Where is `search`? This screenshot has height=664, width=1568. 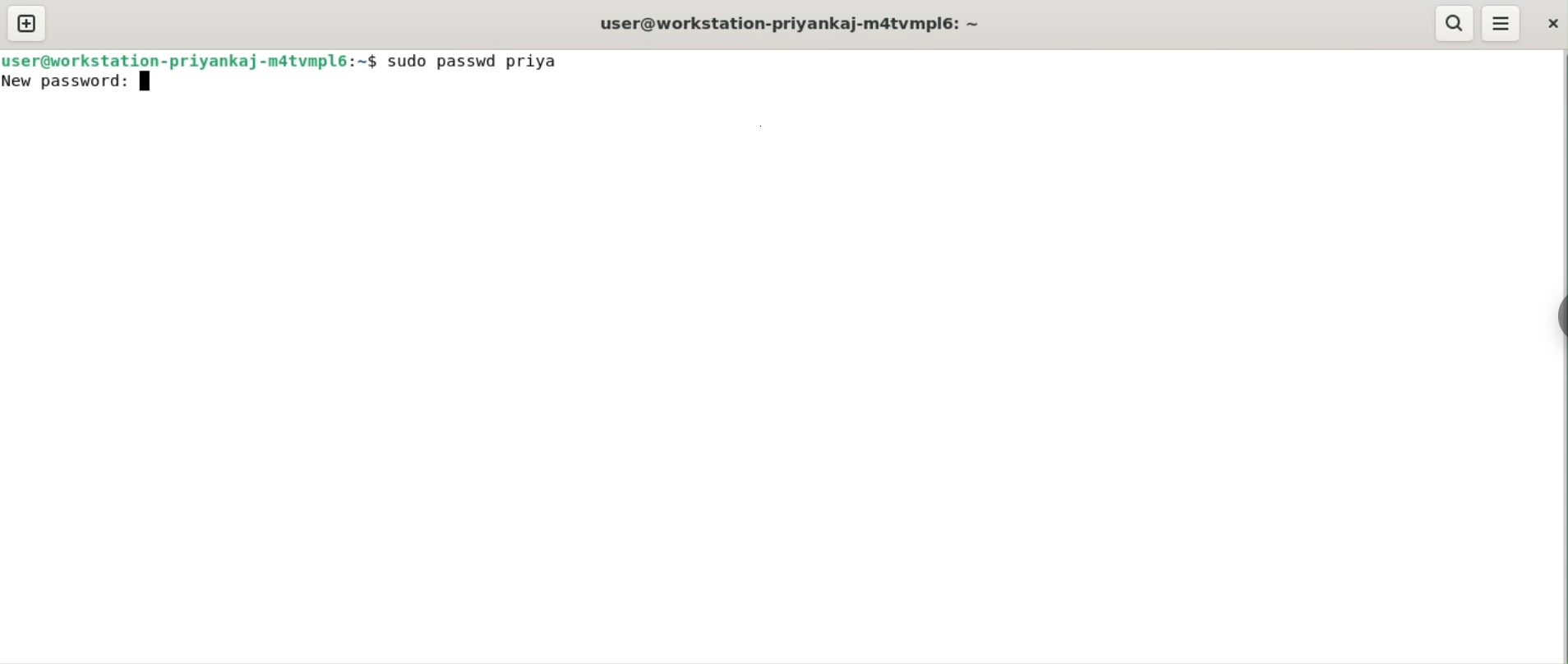
search is located at coordinates (1454, 24).